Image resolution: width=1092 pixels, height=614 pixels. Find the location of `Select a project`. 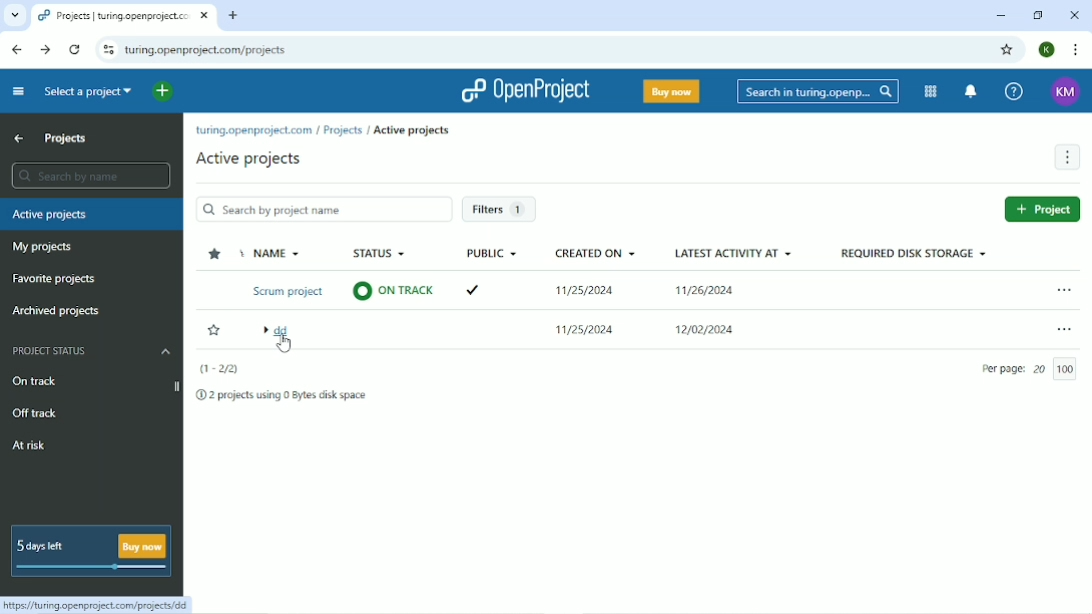

Select a project is located at coordinates (88, 91).